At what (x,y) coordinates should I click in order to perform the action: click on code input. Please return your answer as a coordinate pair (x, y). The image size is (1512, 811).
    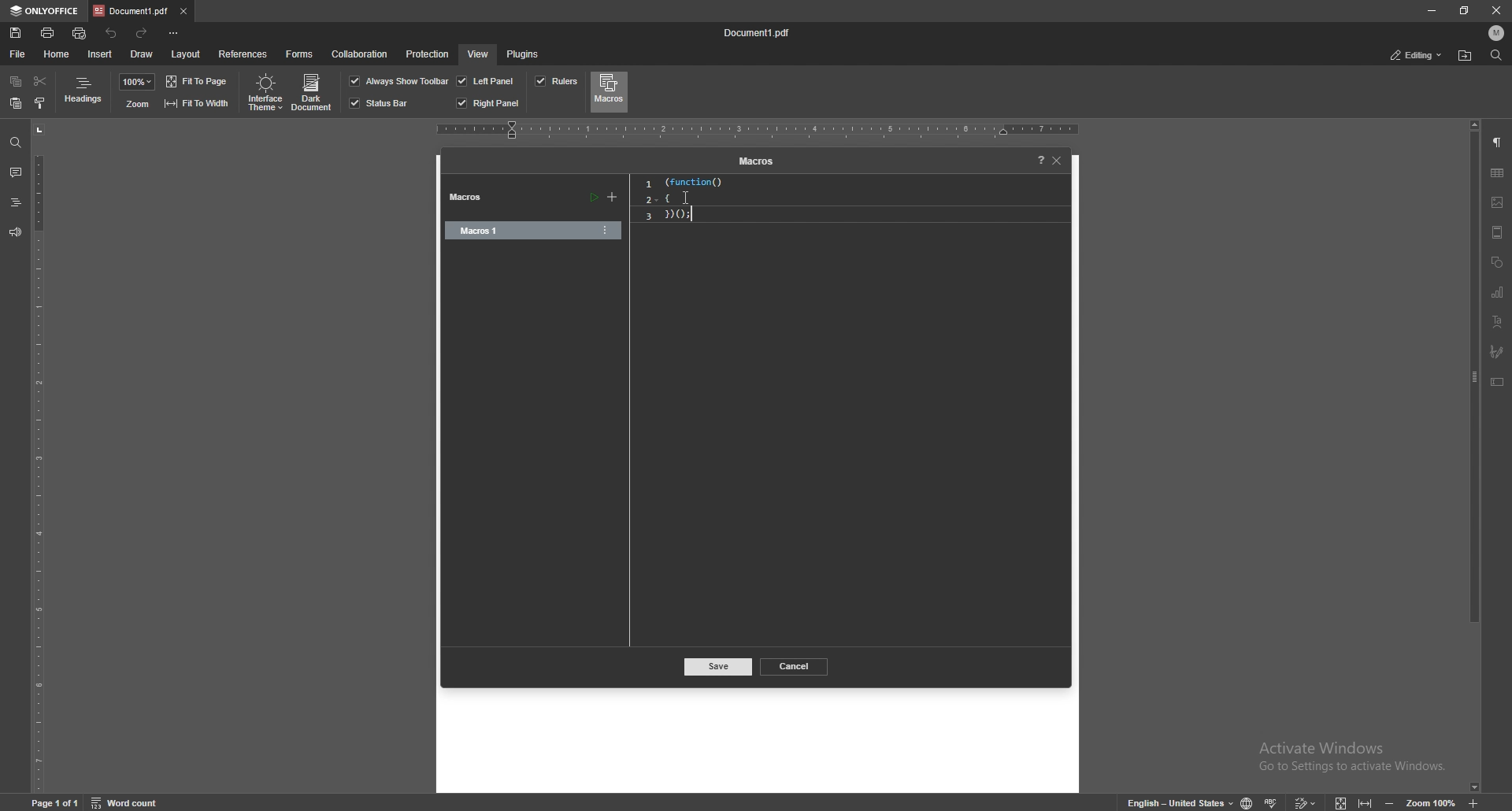
    Looking at the image, I should click on (687, 198).